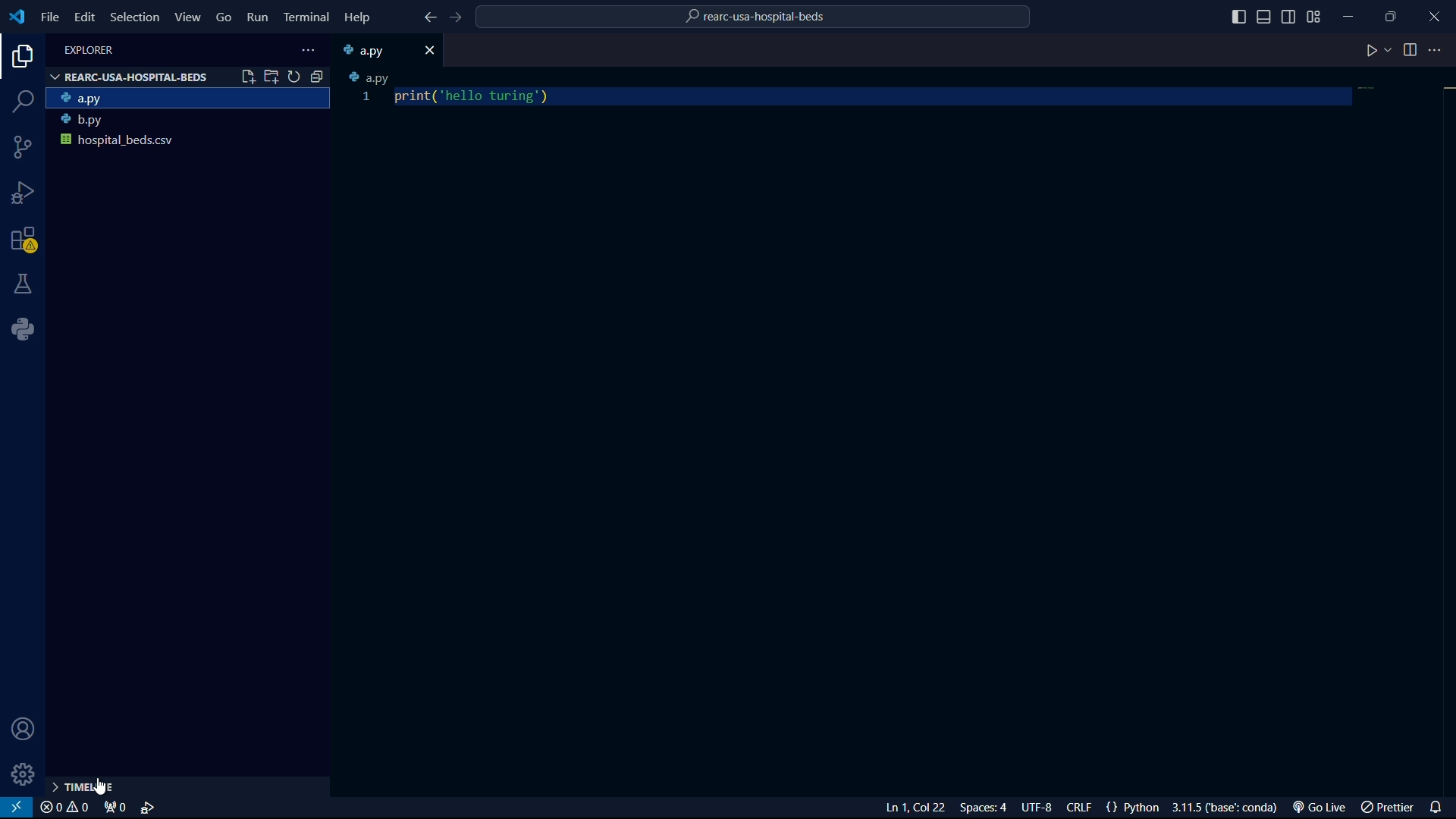 This screenshot has height=819, width=1456. I want to click on help menu, so click(356, 17).